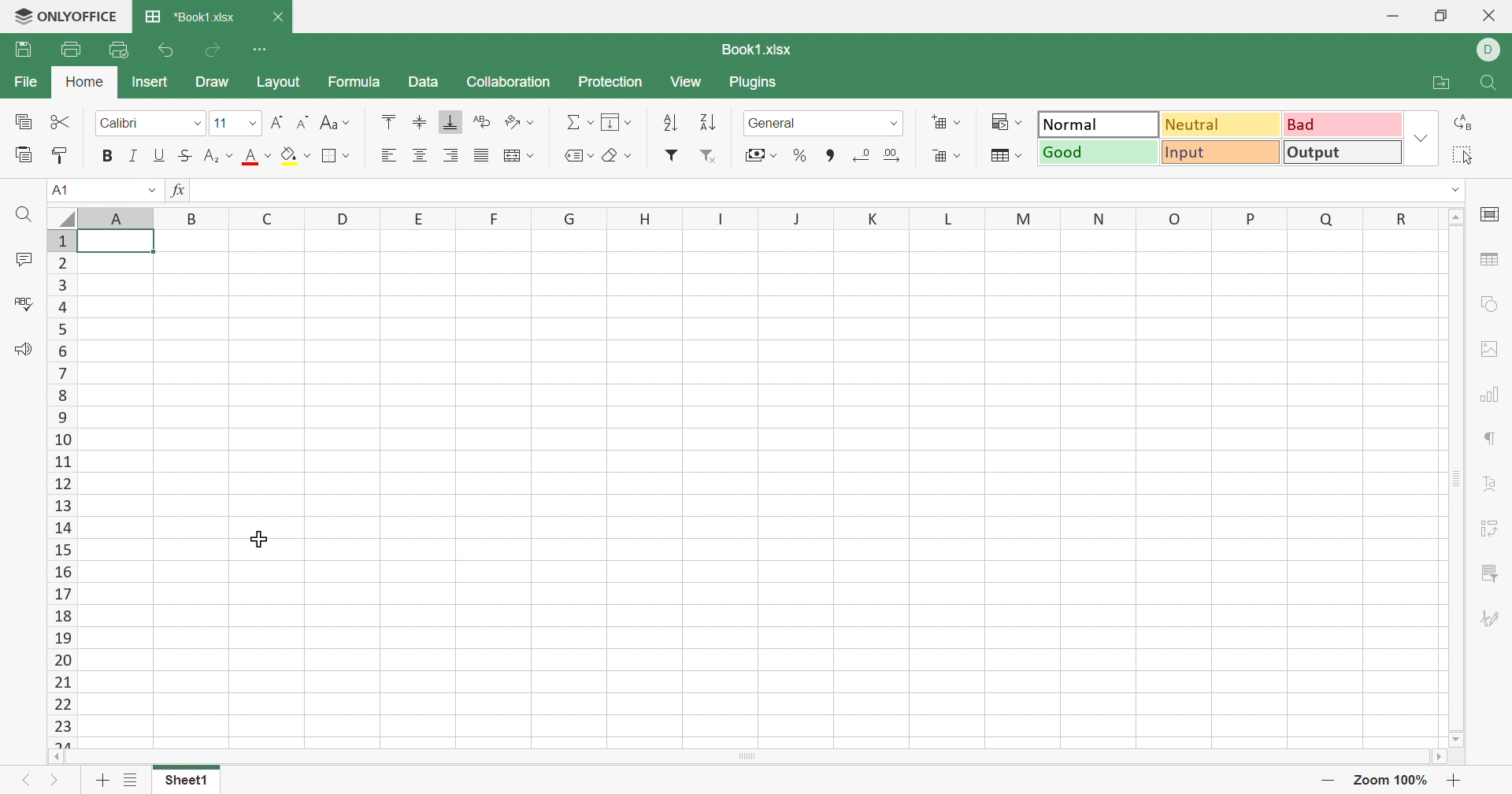 The image size is (1512, 794). I want to click on Drop Down, so click(958, 122).